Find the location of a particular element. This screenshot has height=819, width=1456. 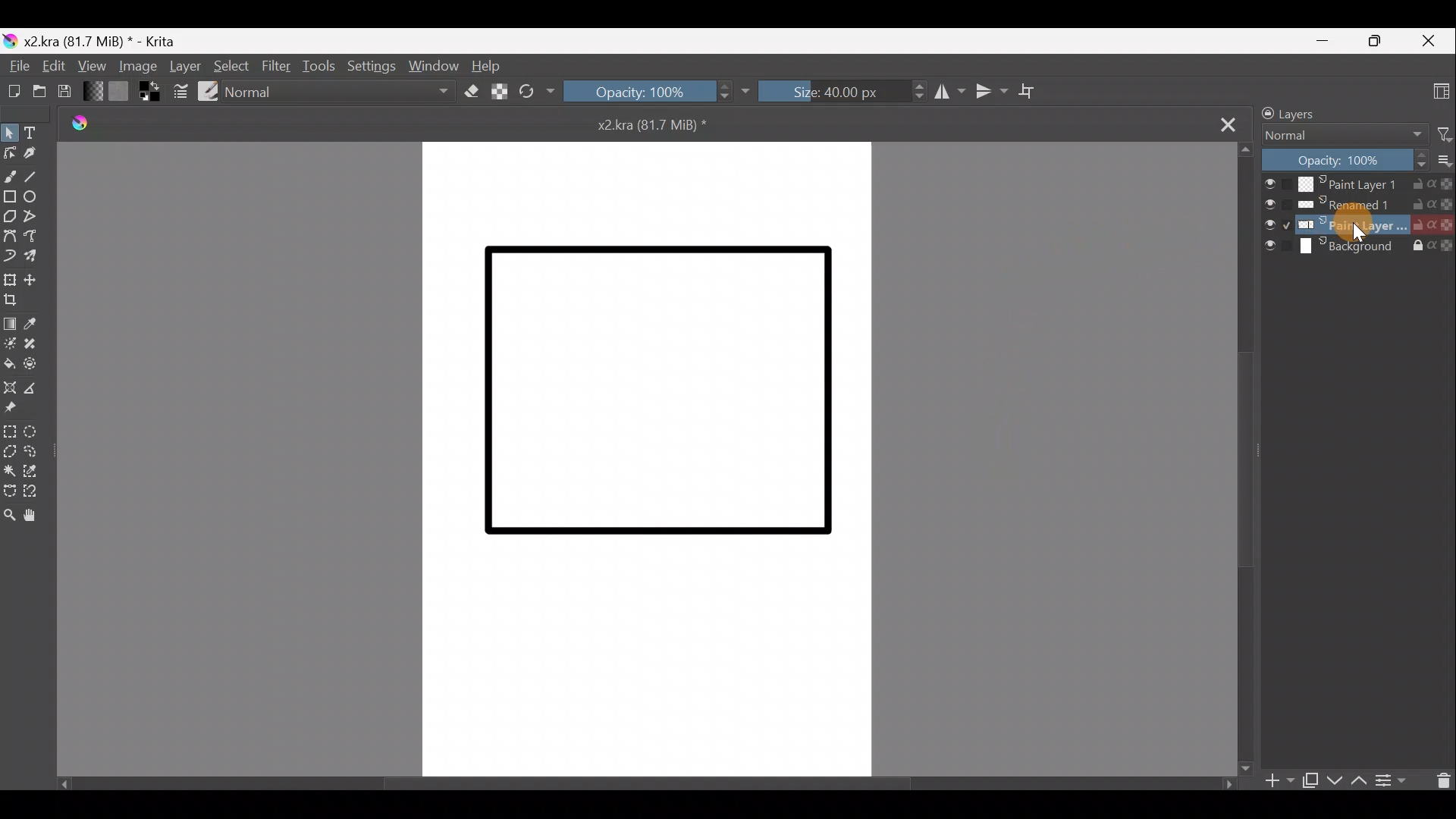

x2.kra (81.7 MiB) * - Krita is located at coordinates (102, 41).